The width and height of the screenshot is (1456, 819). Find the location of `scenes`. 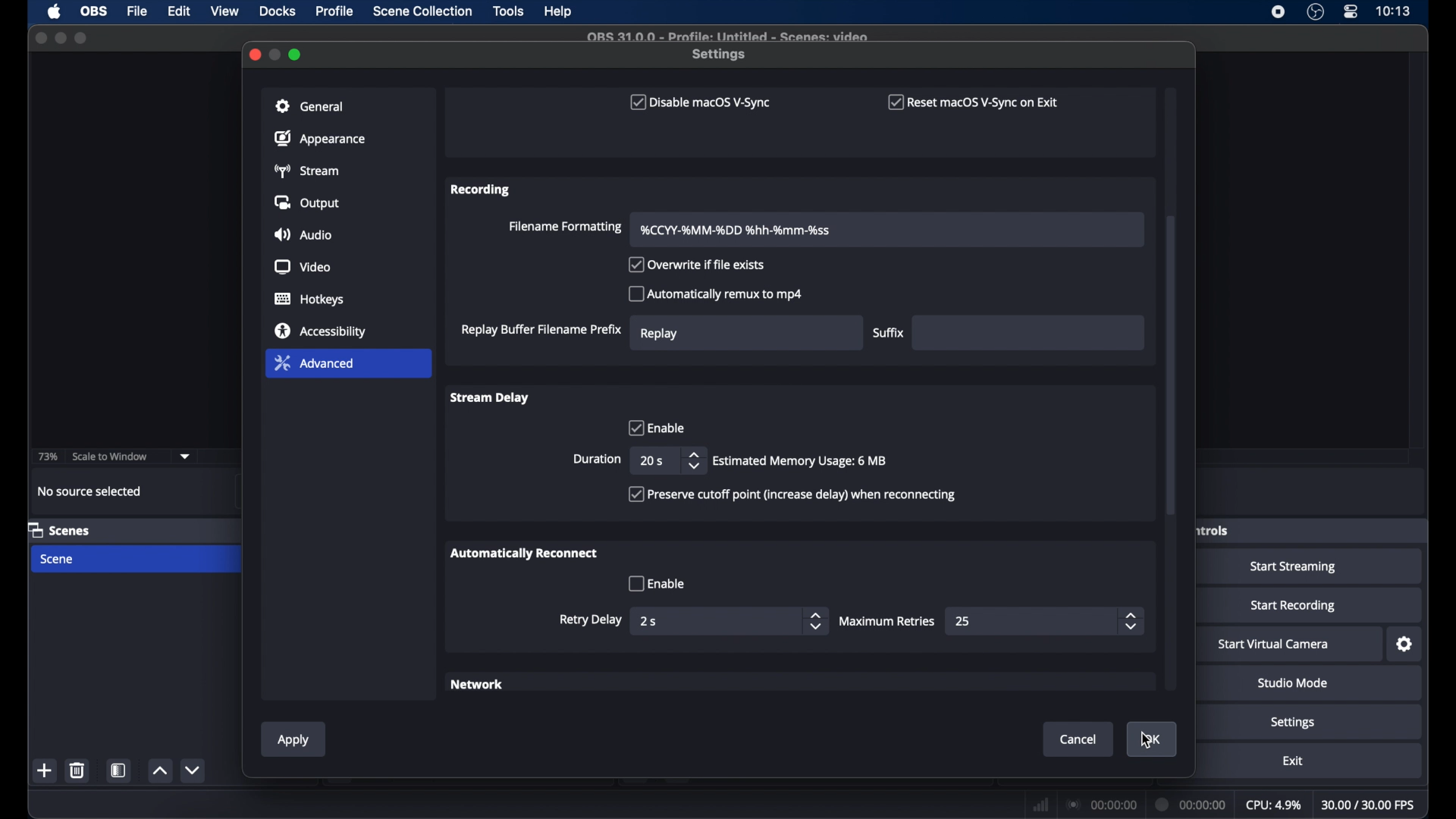

scenes is located at coordinates (59, 529).